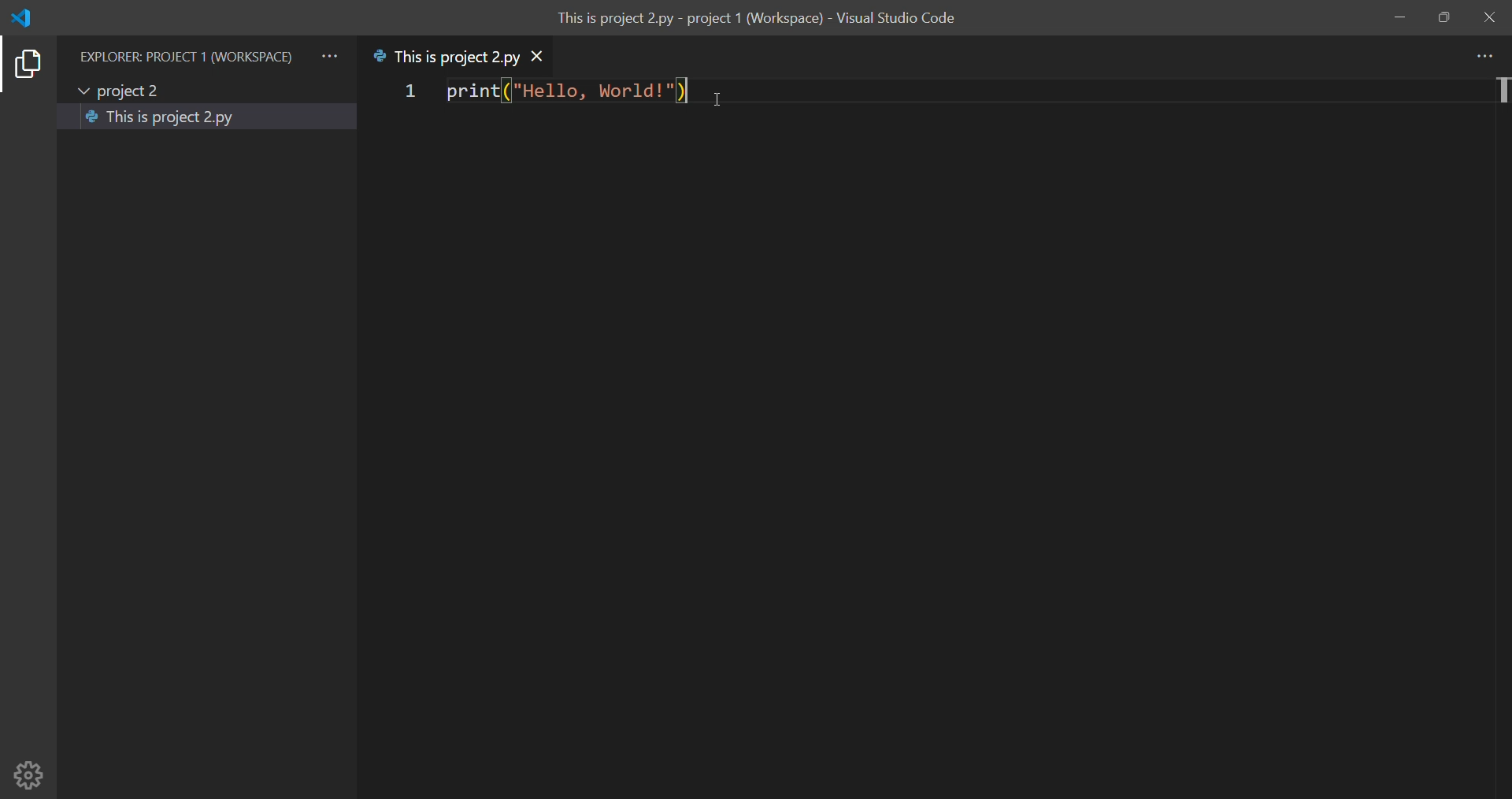  Describe the element at coordinates (1490, 16) in the screenshot. I see `close` at that location.